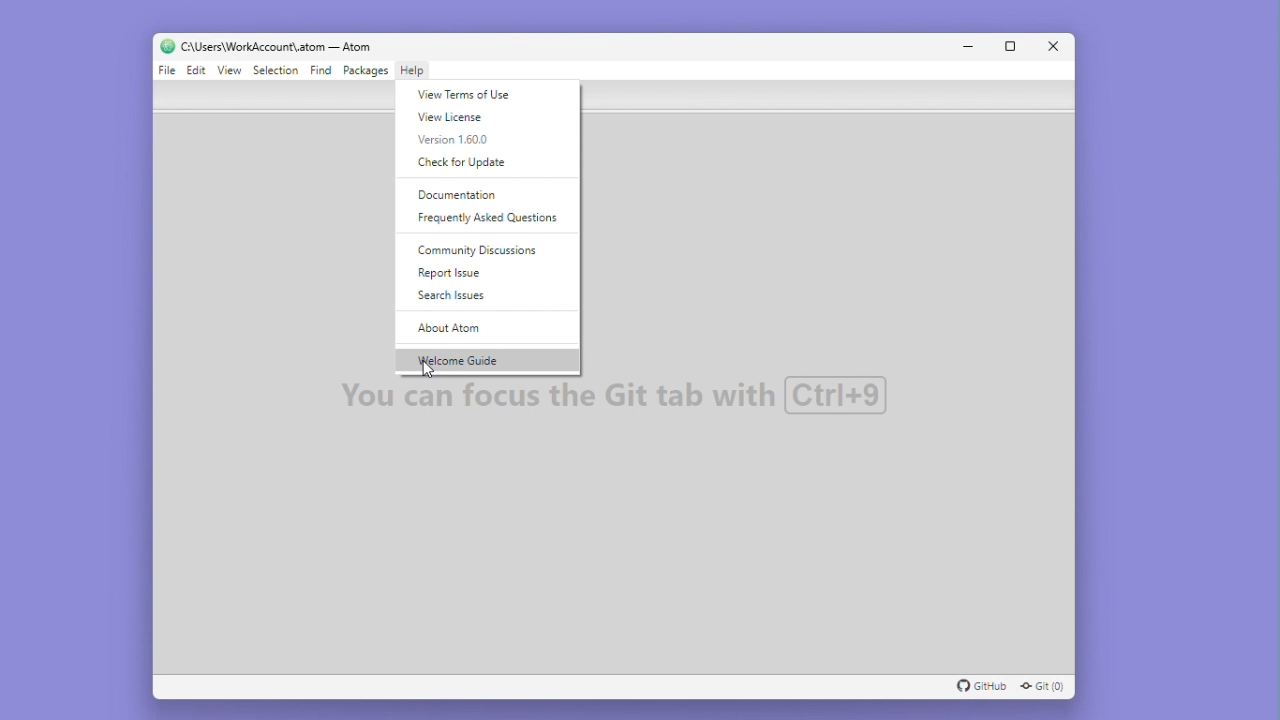  I want to click on Help, so click(414, 71).